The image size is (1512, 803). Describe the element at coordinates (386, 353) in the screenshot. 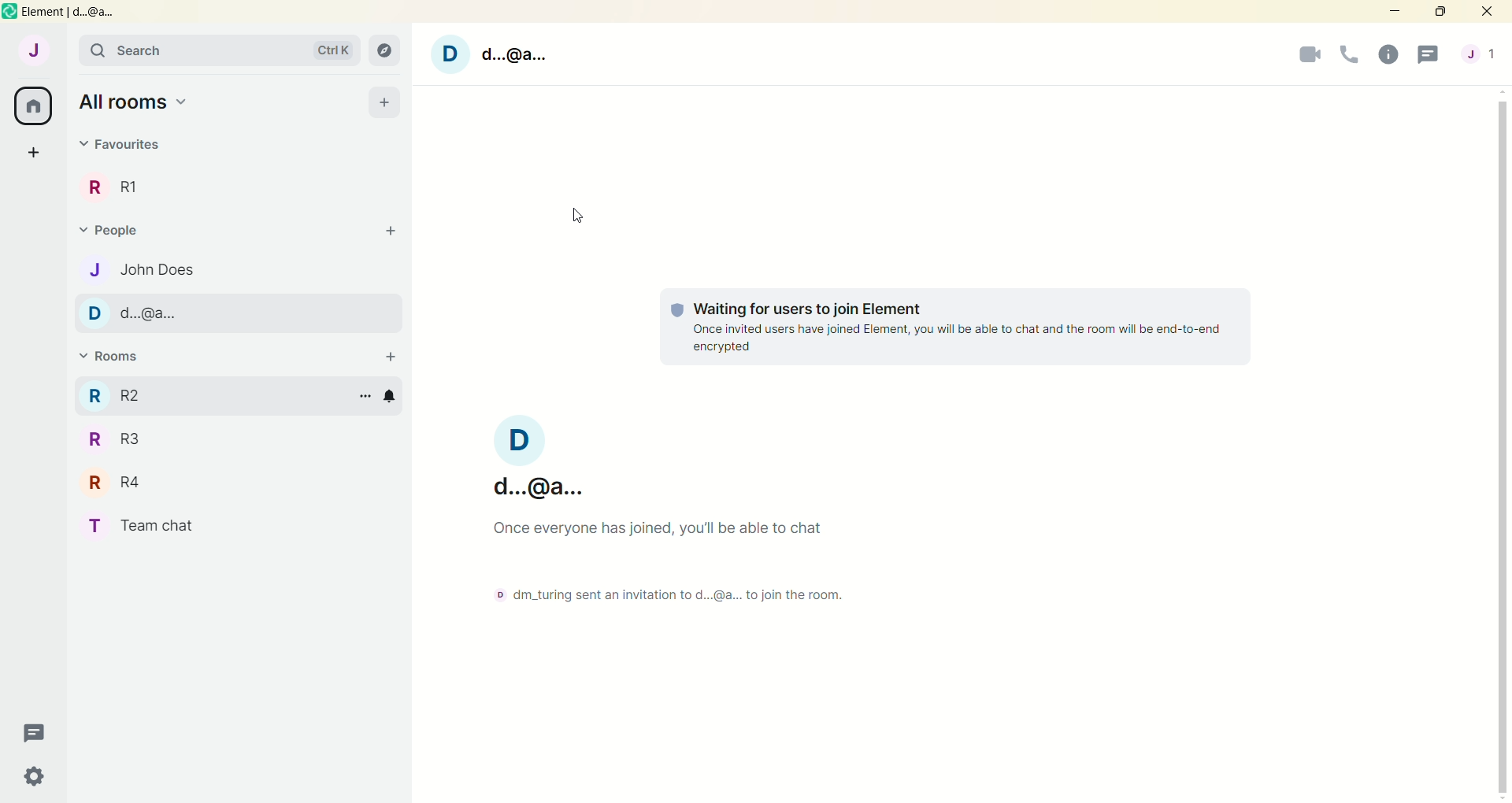

I see `Add Rooms` at that location.